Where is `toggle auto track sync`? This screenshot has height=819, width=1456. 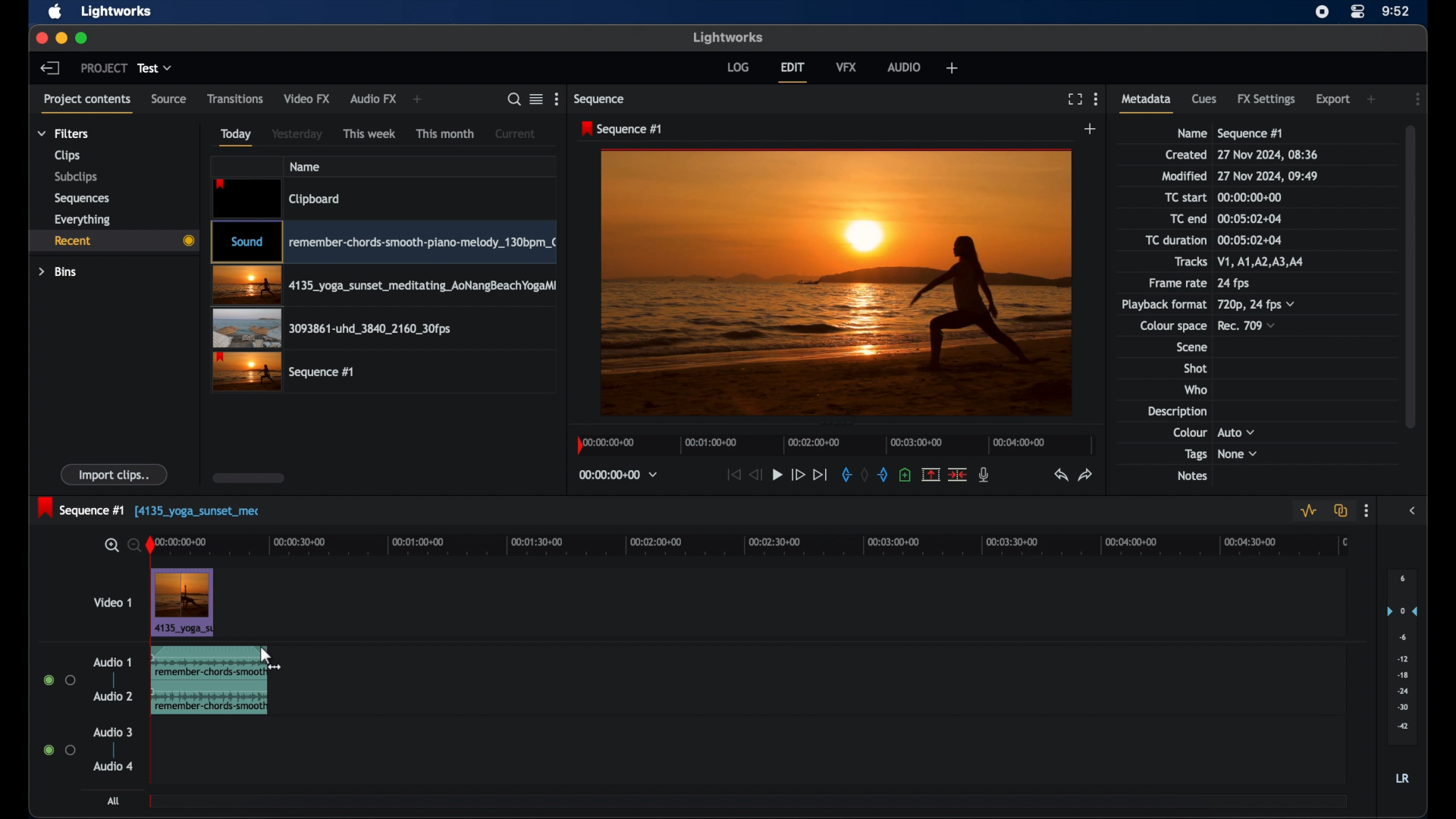 toggle auto track sync is located at coordinates (1341, 510).